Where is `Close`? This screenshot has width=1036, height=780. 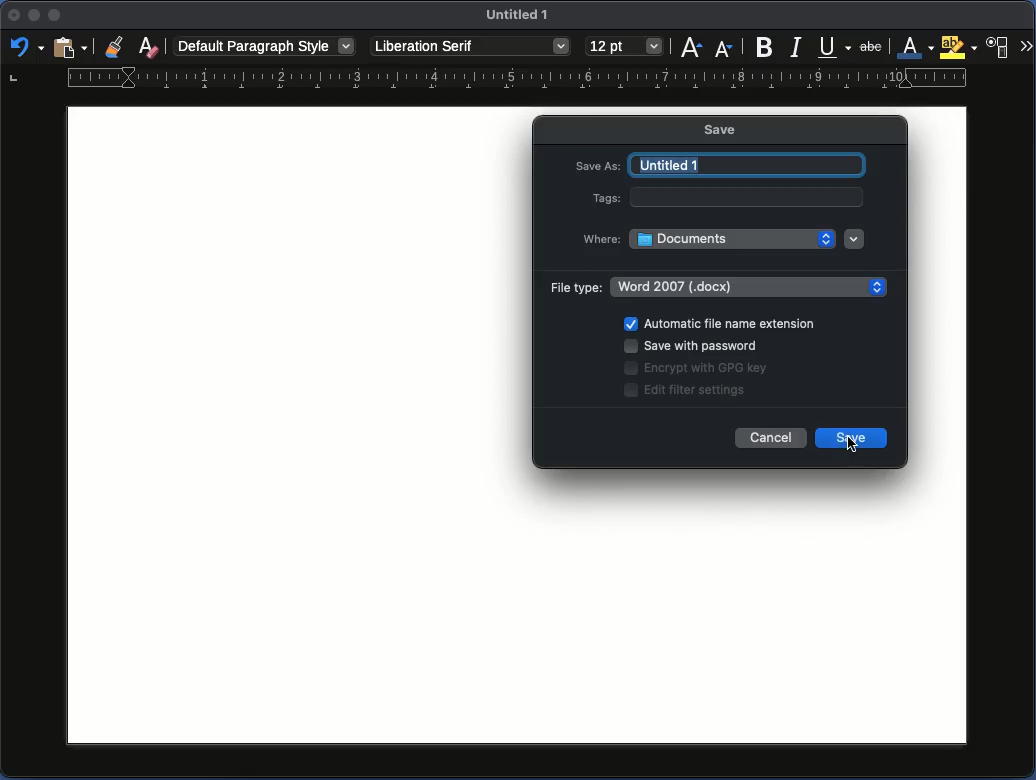 Close is located at coordinates (12, 19).